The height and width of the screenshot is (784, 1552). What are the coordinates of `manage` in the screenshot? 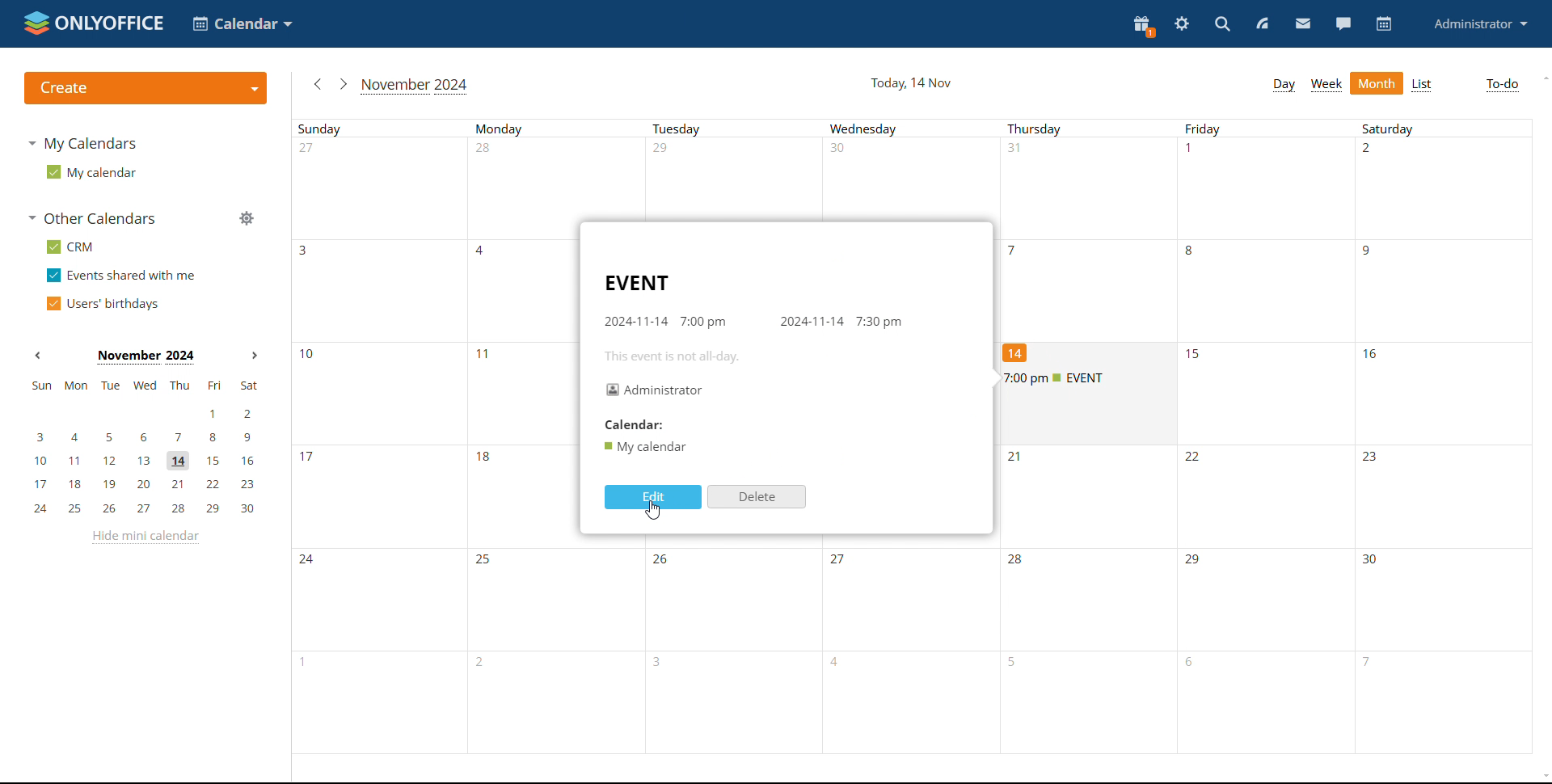 It's located at (247, 218).